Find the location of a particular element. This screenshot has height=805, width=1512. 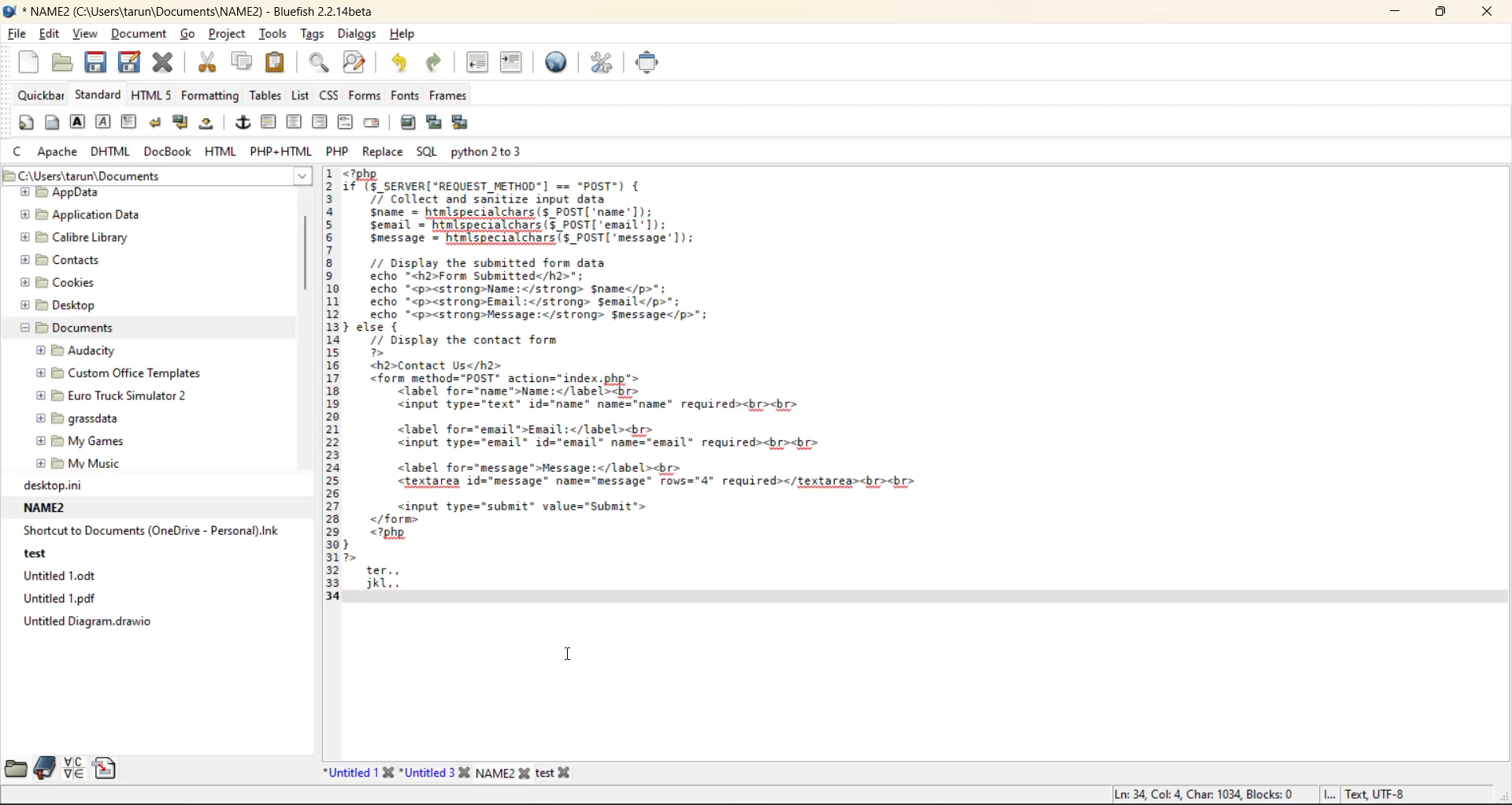

anchor is located at coordinates (245, 124).